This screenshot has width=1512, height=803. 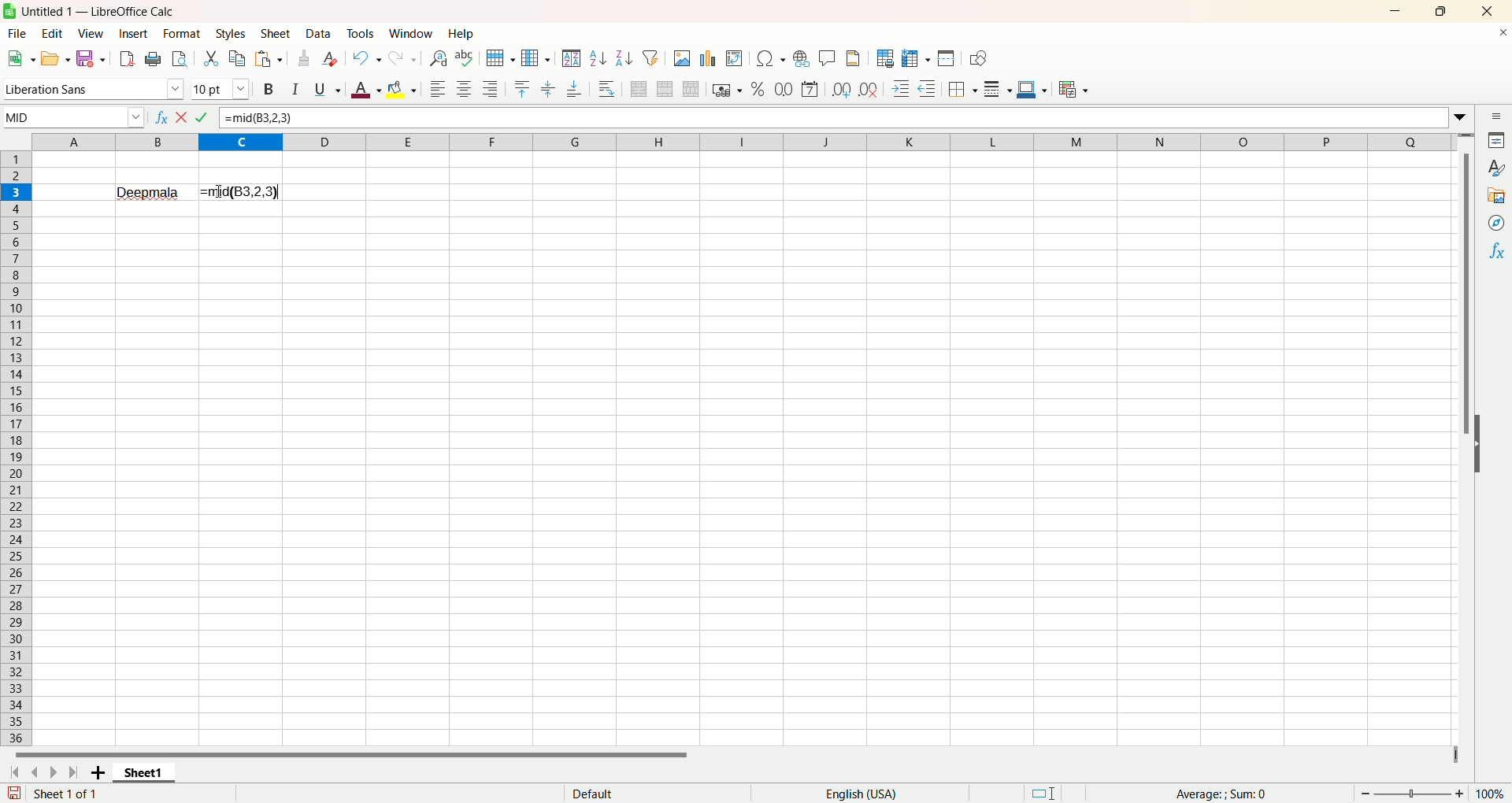 I want to click on Navigator, so click(x=1494, y=224).